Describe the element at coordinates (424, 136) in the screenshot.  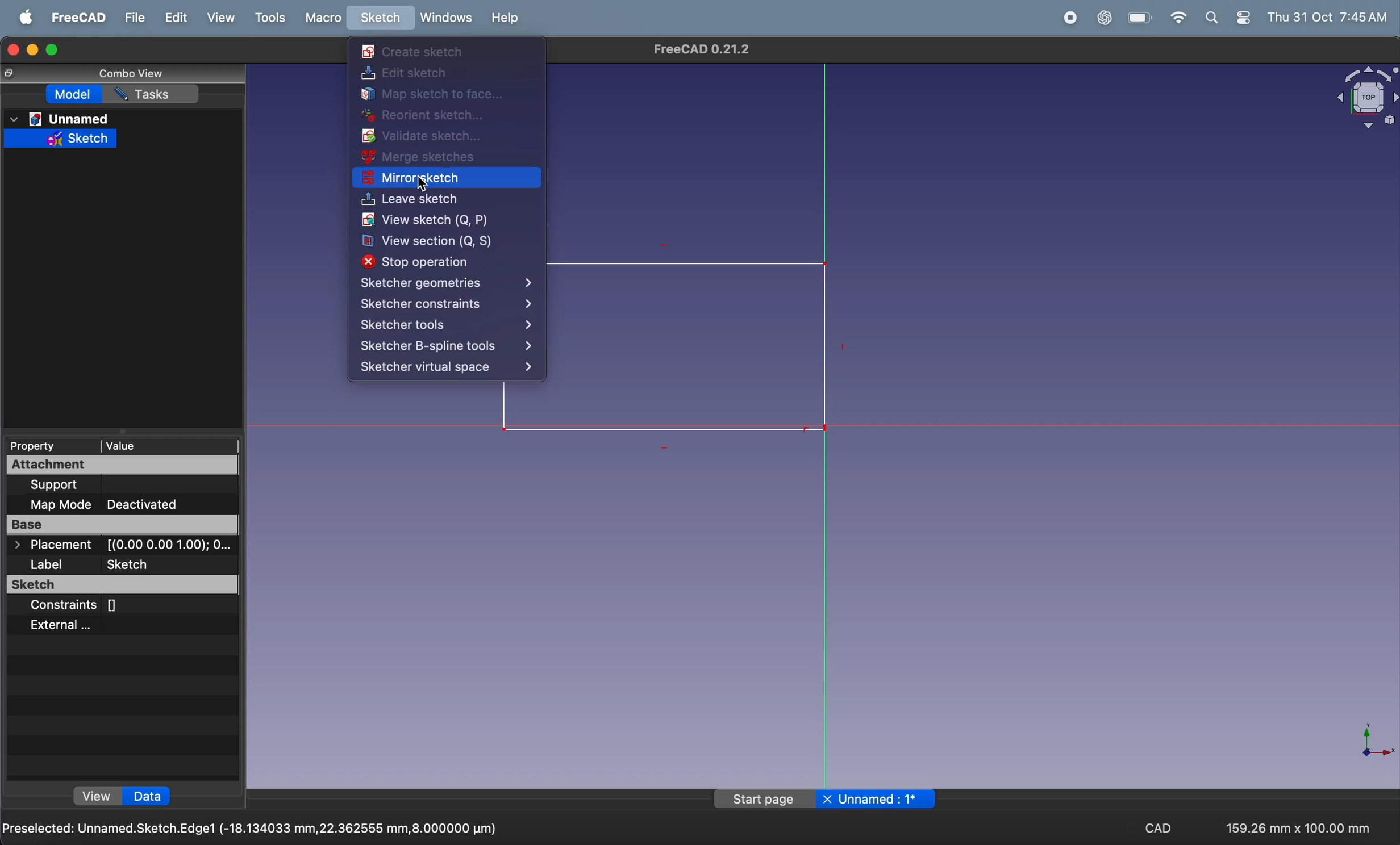
I see `validate sketch` at that location.